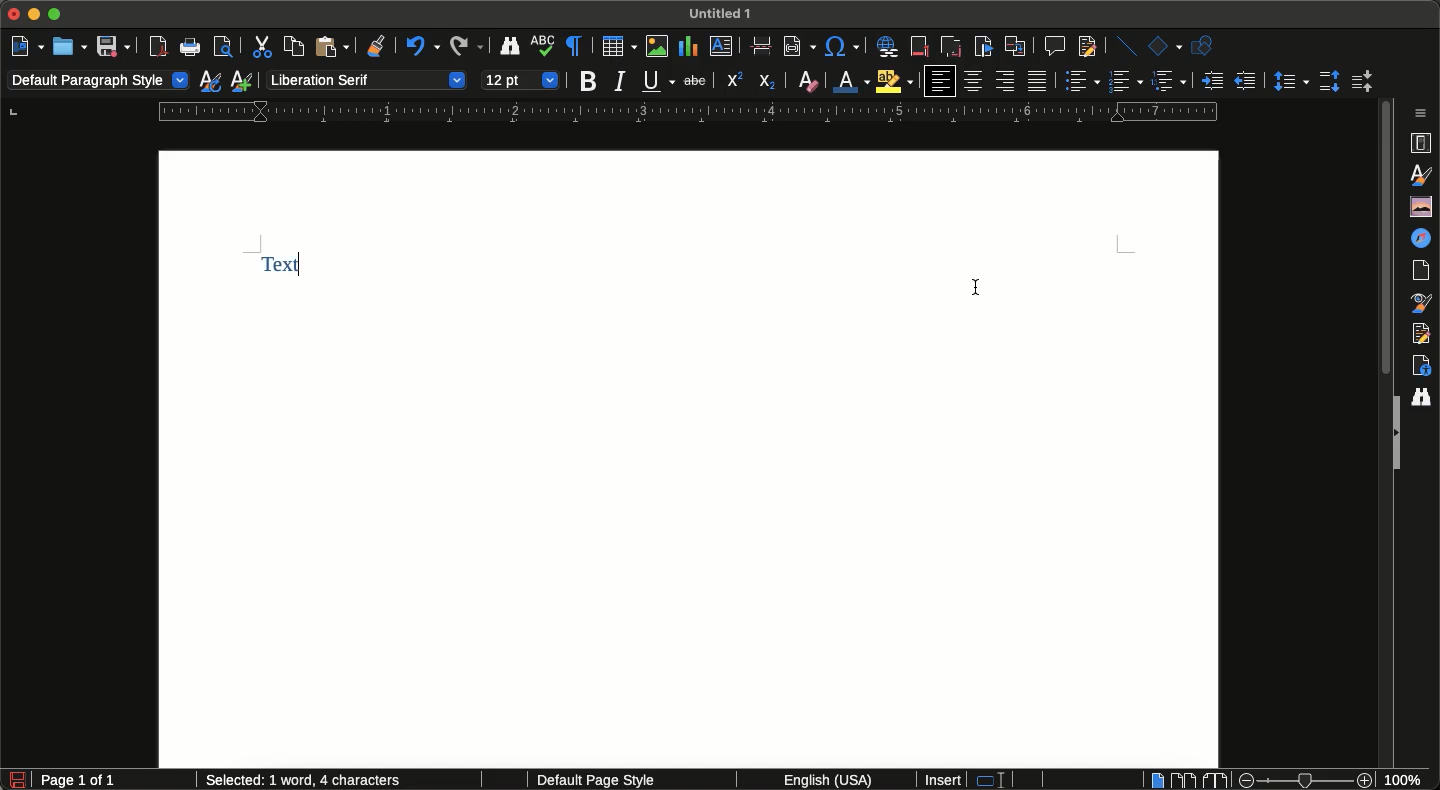  Describe the element at coordinates (983, 47) in the screenshot. I see `Insert bookmark` at that location.